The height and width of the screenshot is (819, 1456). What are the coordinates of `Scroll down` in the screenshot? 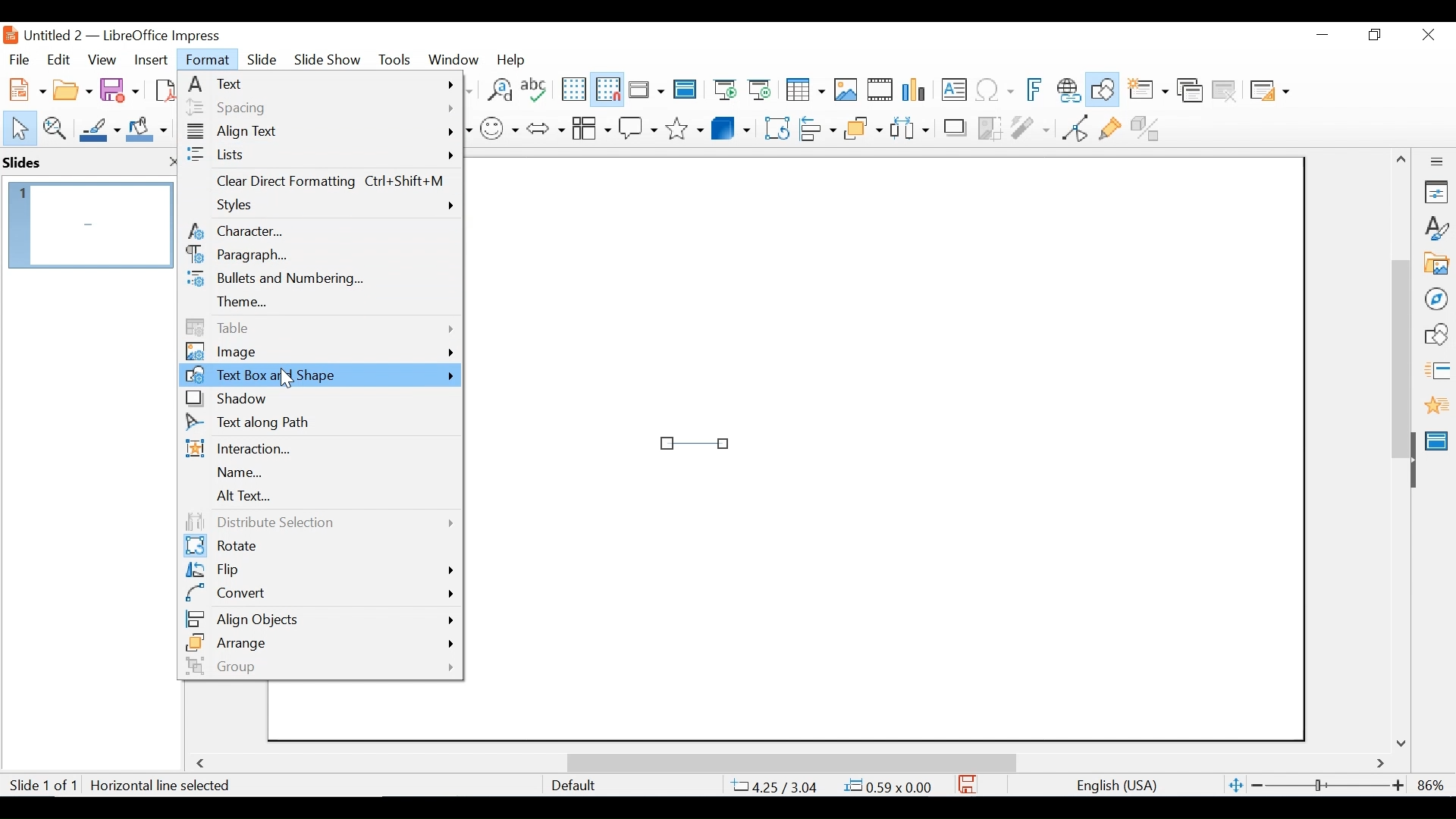 It's located at (1404, 742).